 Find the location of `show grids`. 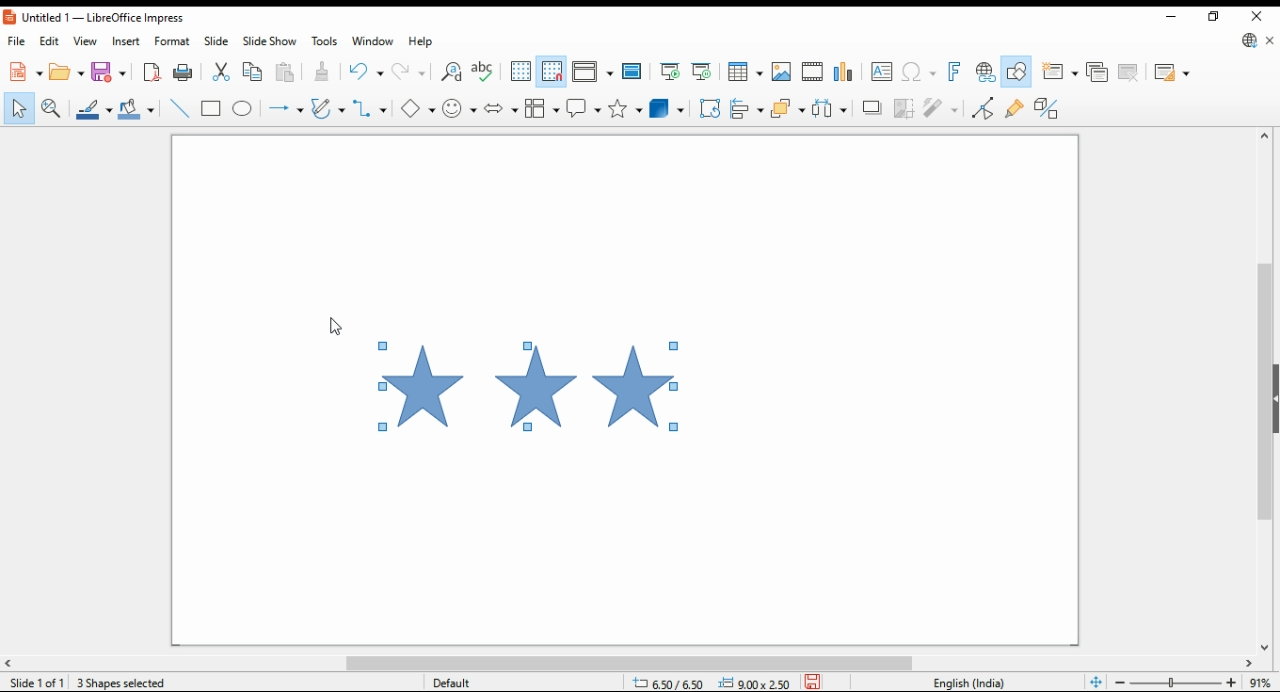

show grids is located at coordinates (519, 71).